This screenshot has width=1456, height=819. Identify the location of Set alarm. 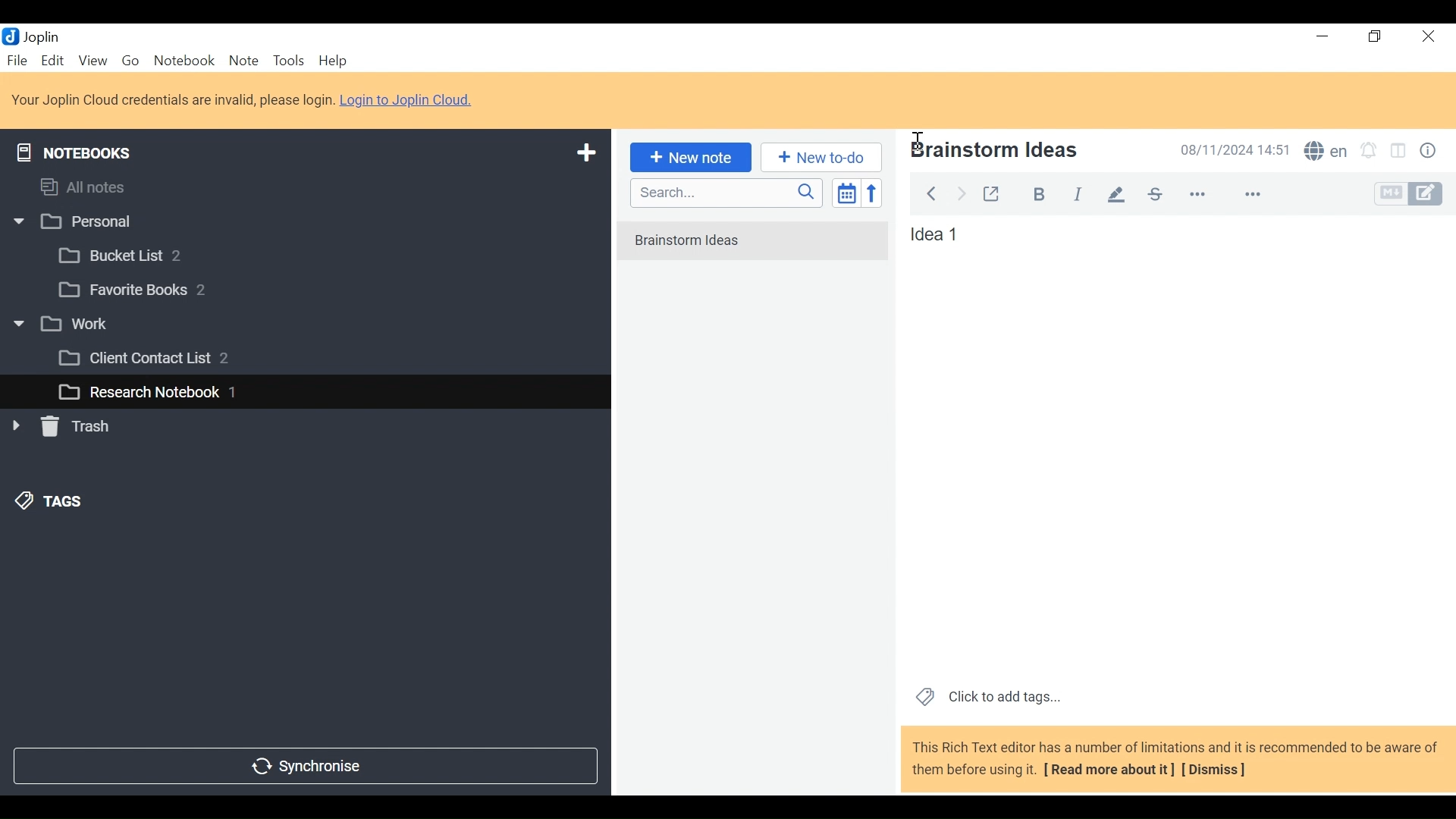
(1369, 152).